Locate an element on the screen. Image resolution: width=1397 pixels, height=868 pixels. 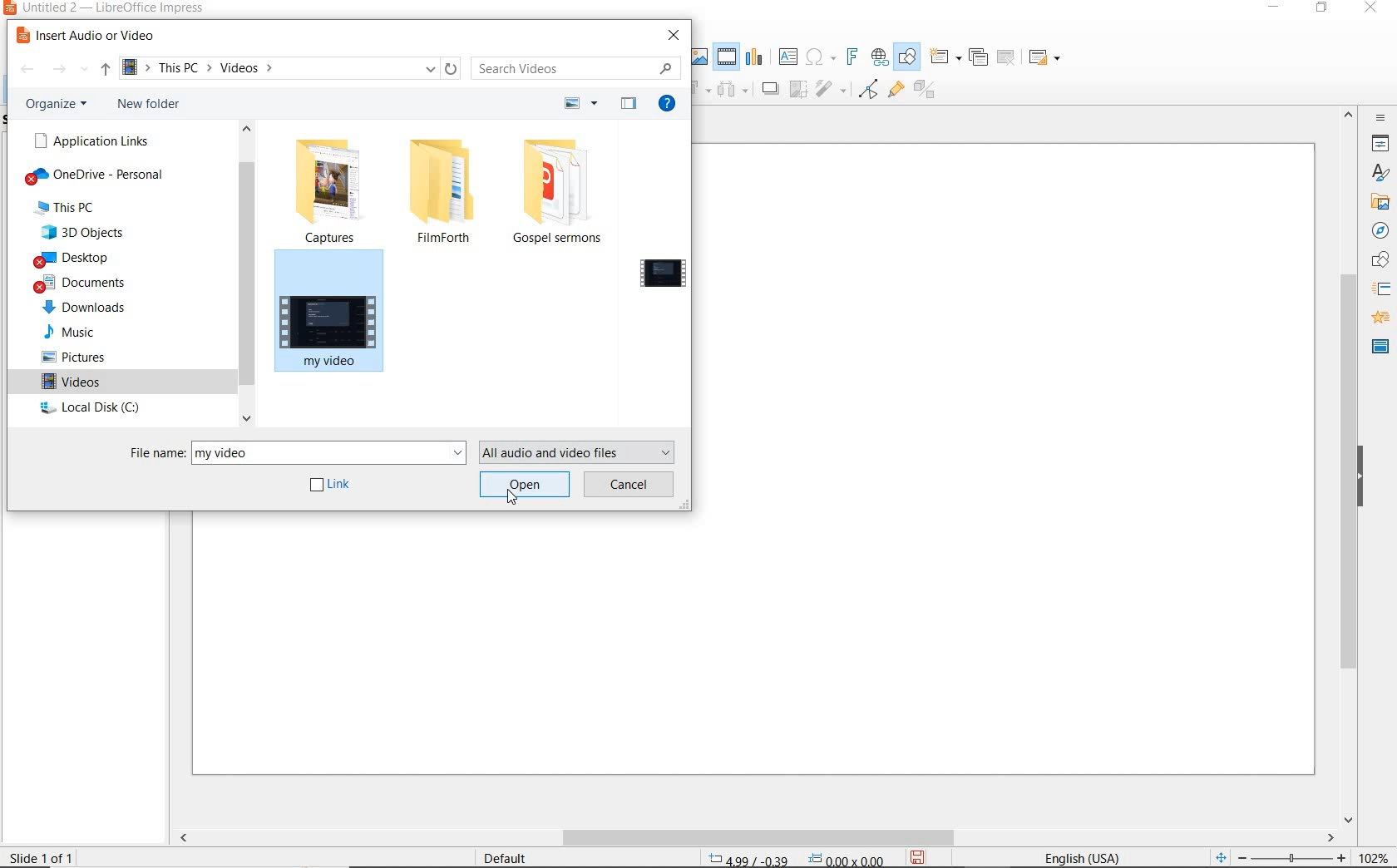
TOGGLE EXTRUSION is located at coordinates (926, 91).